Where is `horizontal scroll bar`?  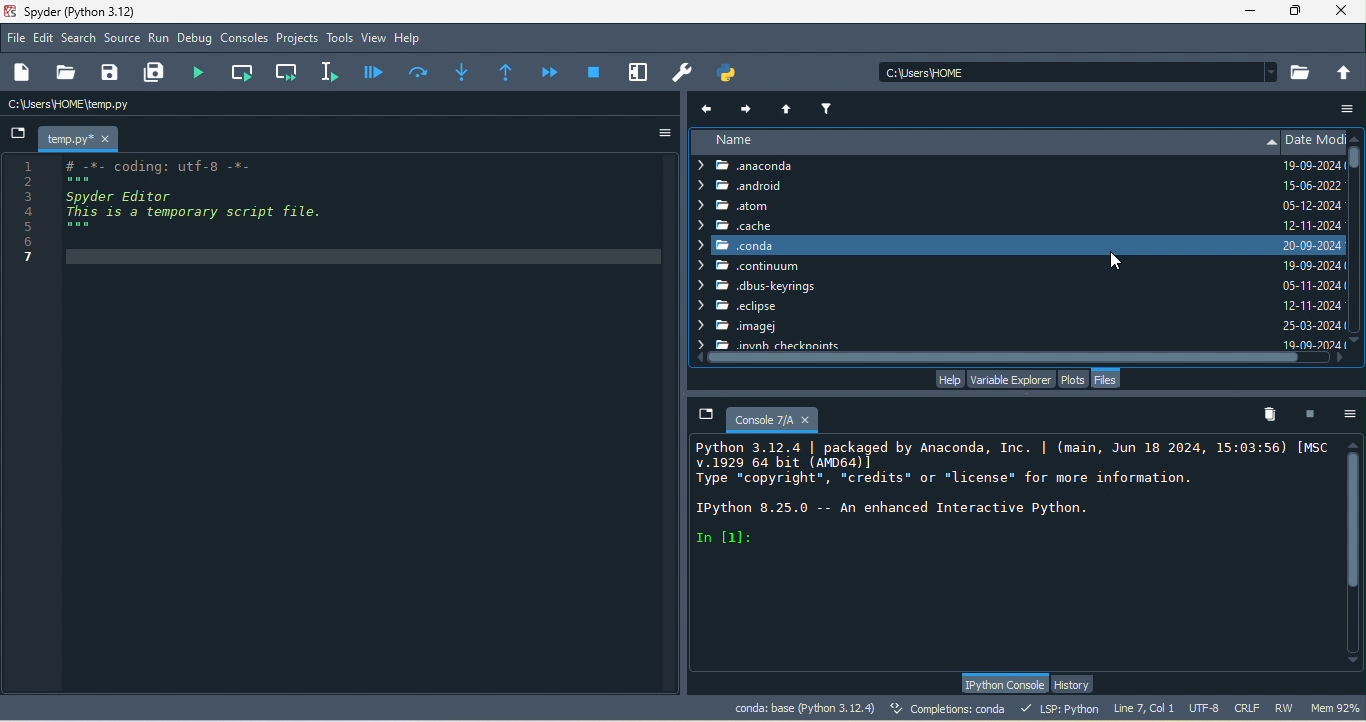
horizontal scroll bar is located at coordinates (1021, 358).